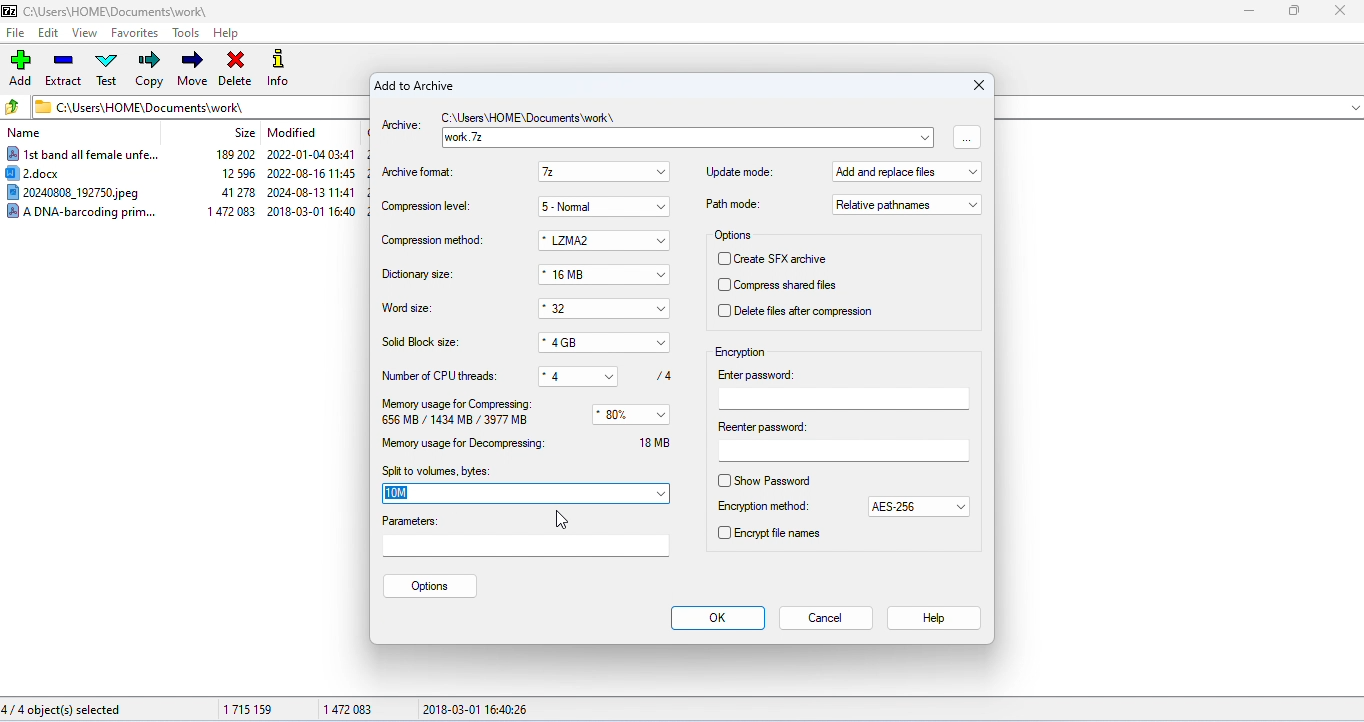  I want to click on encryption, so click(741, 352).